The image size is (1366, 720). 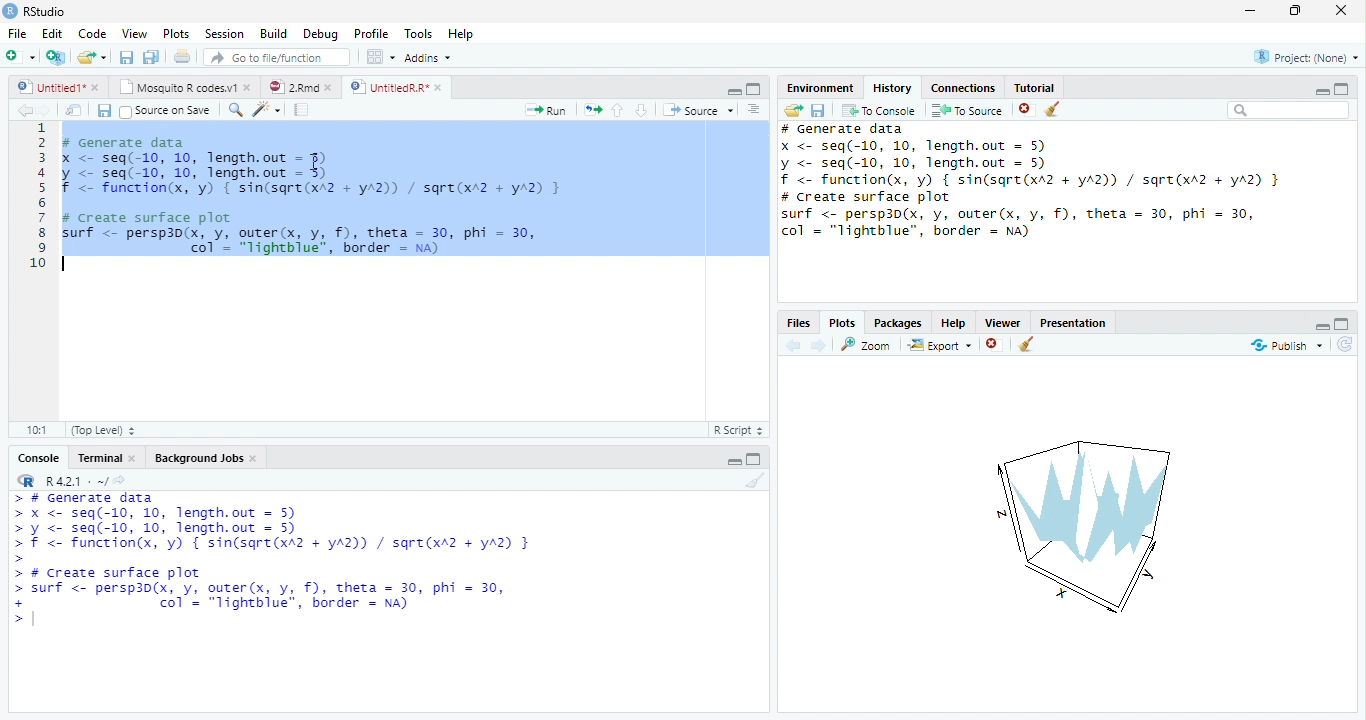 What do you see at coordinates (1002, 322) in the screenshot?
I see `Viewer` at bounding box center [1002, 322].